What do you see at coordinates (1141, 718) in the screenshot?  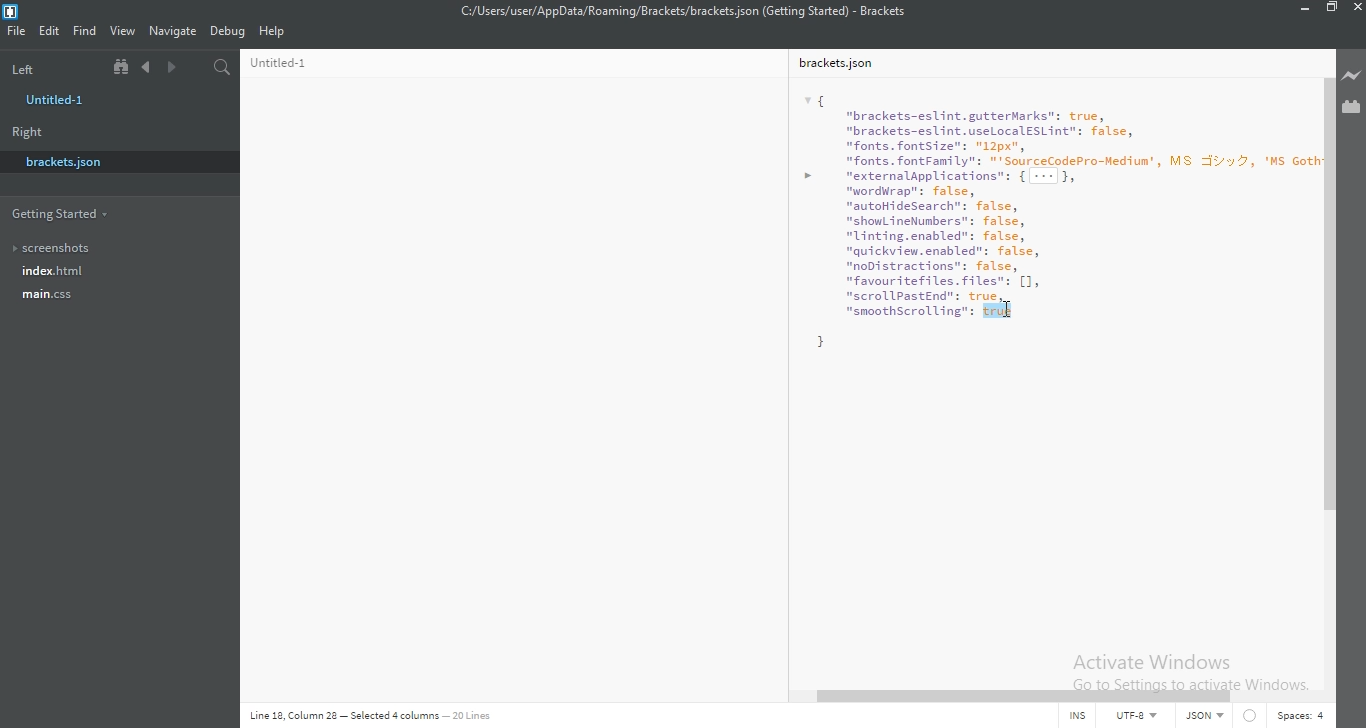 I see ` UTF-8` at bounding box center [1141, 718].